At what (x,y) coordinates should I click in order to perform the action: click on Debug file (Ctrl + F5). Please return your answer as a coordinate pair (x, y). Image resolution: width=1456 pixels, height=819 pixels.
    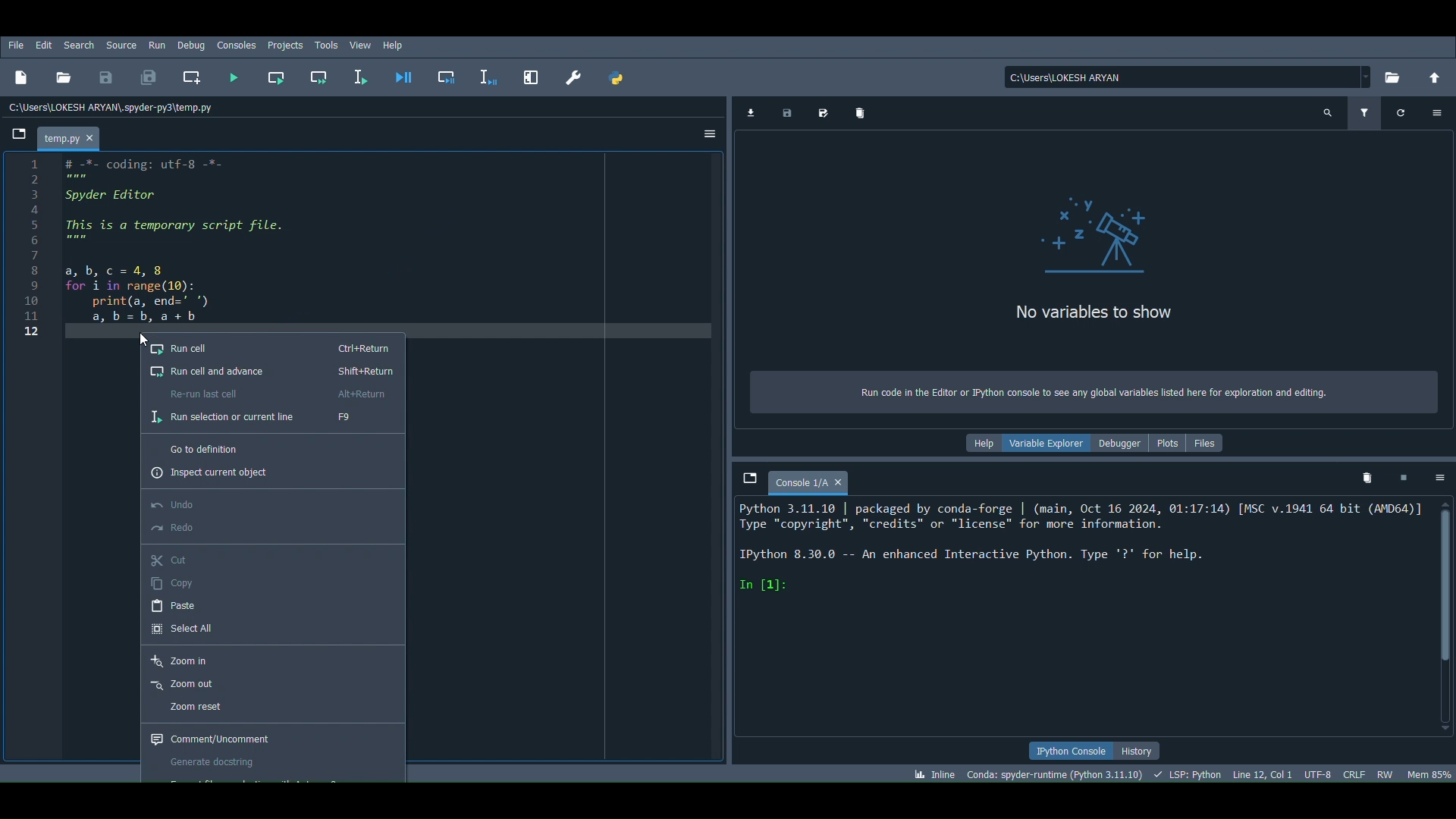
    Looking at the image, I should click on (401, 76).